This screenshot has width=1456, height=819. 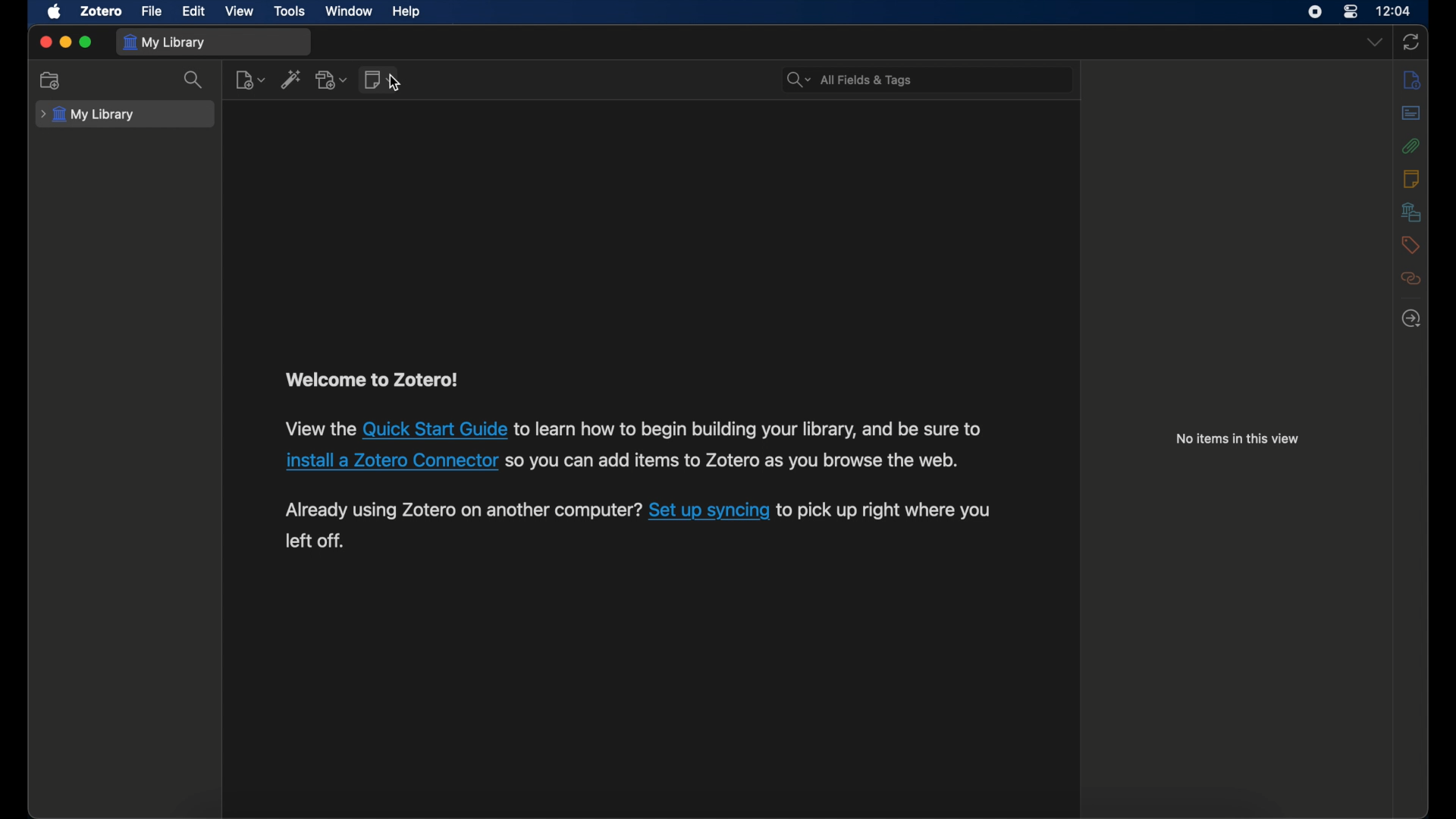 What do you see at coordinates (333, 80) in the screenshot?
I see `add attachments` at bounding box center [333, 80].